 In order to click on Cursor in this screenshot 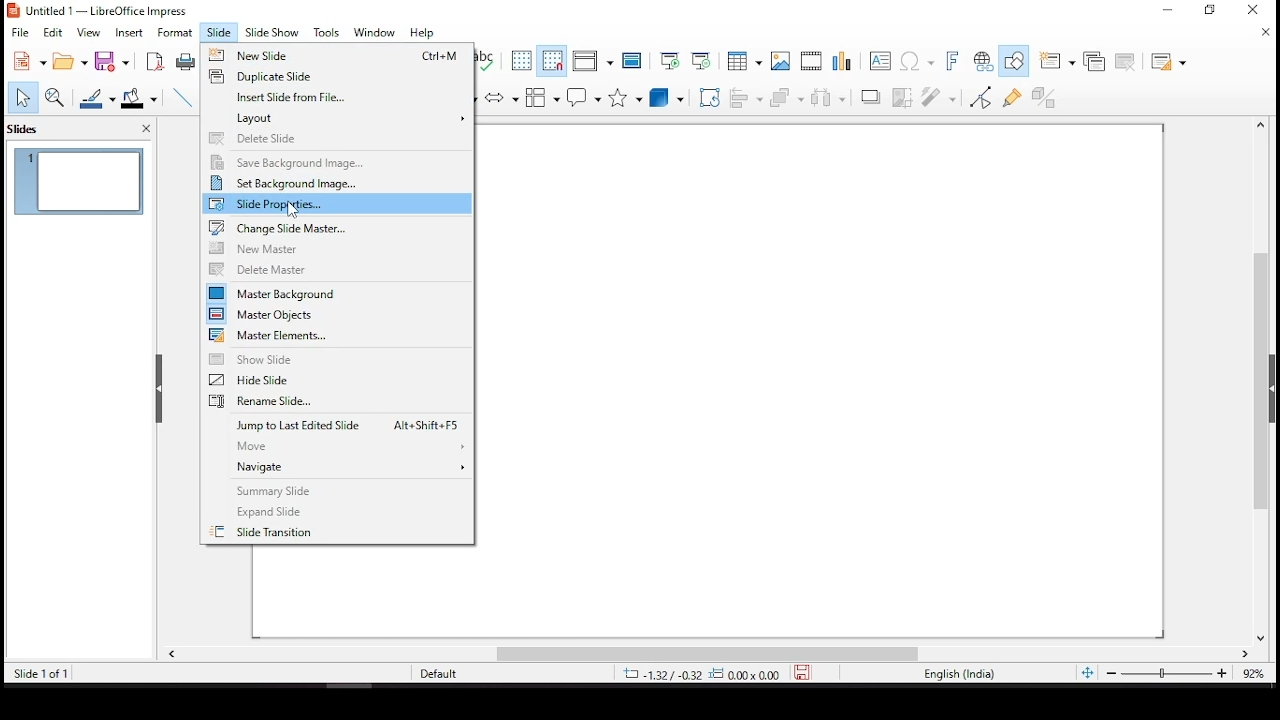, I will do `click(292, 210)`.